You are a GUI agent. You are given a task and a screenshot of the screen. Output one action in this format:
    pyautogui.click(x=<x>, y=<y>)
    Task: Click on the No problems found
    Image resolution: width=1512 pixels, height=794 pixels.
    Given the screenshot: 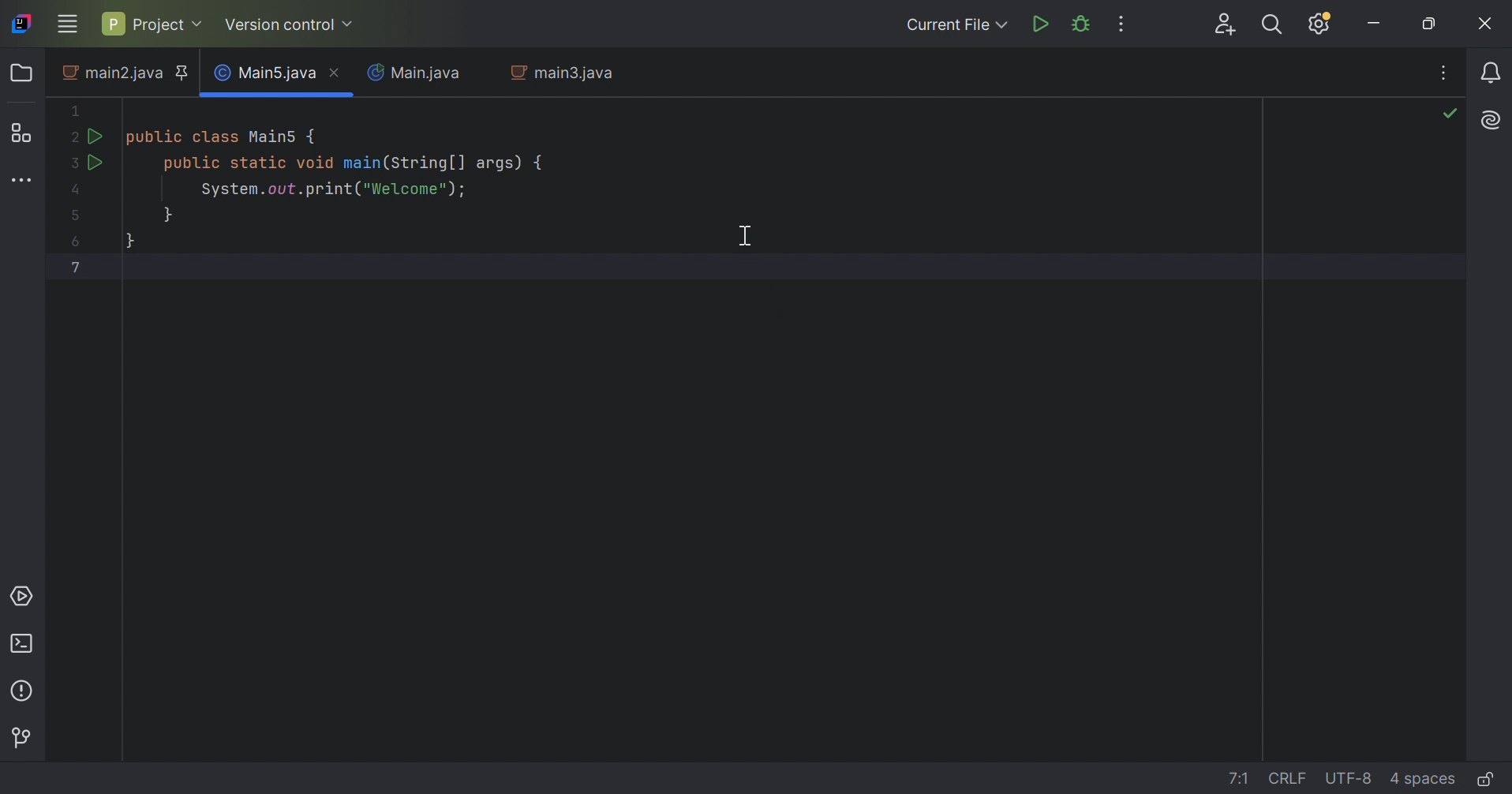 What is the action you would take?
    pyautogui.click(x=1450, y=114)
    